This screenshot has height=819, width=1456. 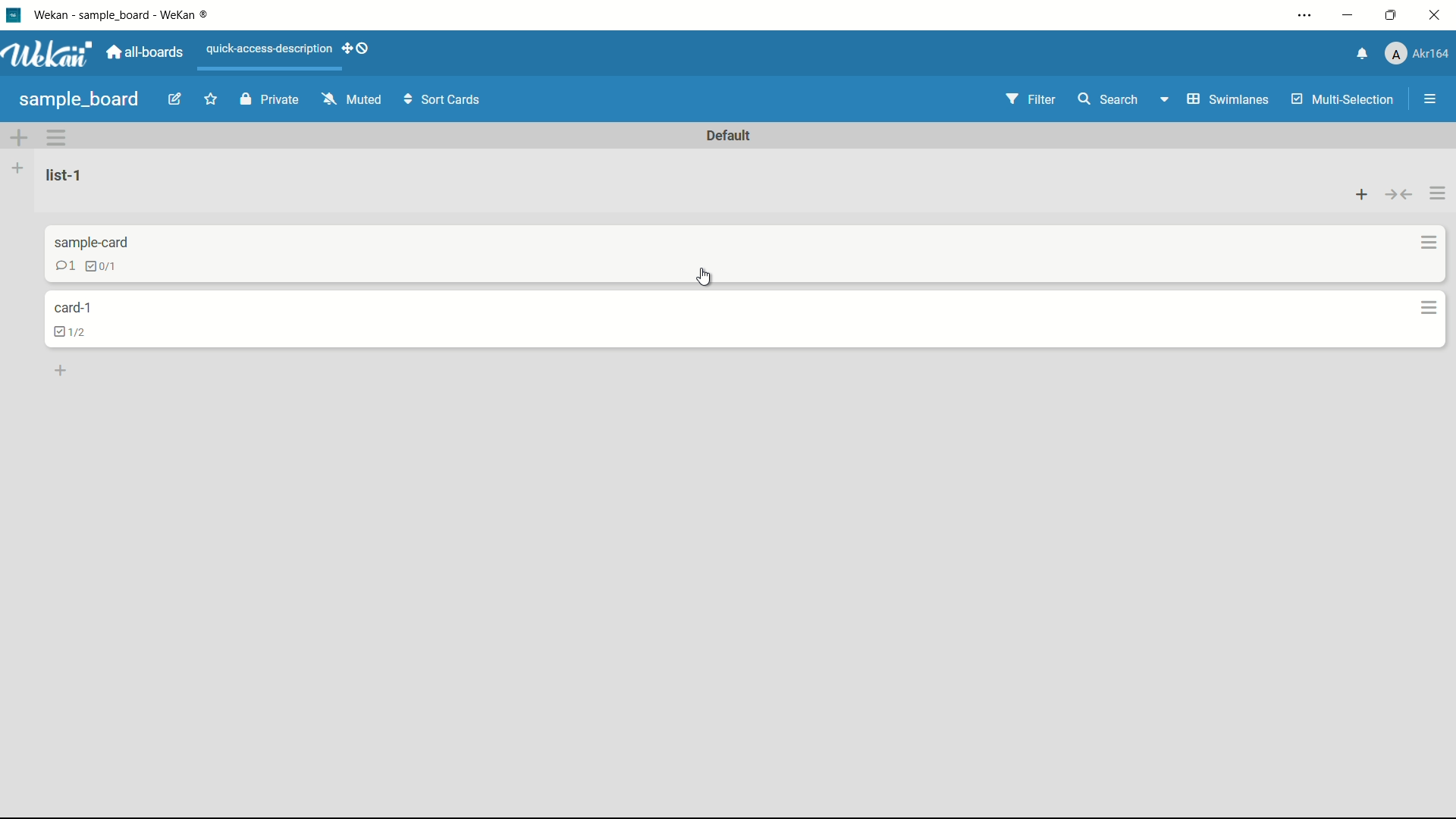 I want to click on board name, so click(x=79, y=101).